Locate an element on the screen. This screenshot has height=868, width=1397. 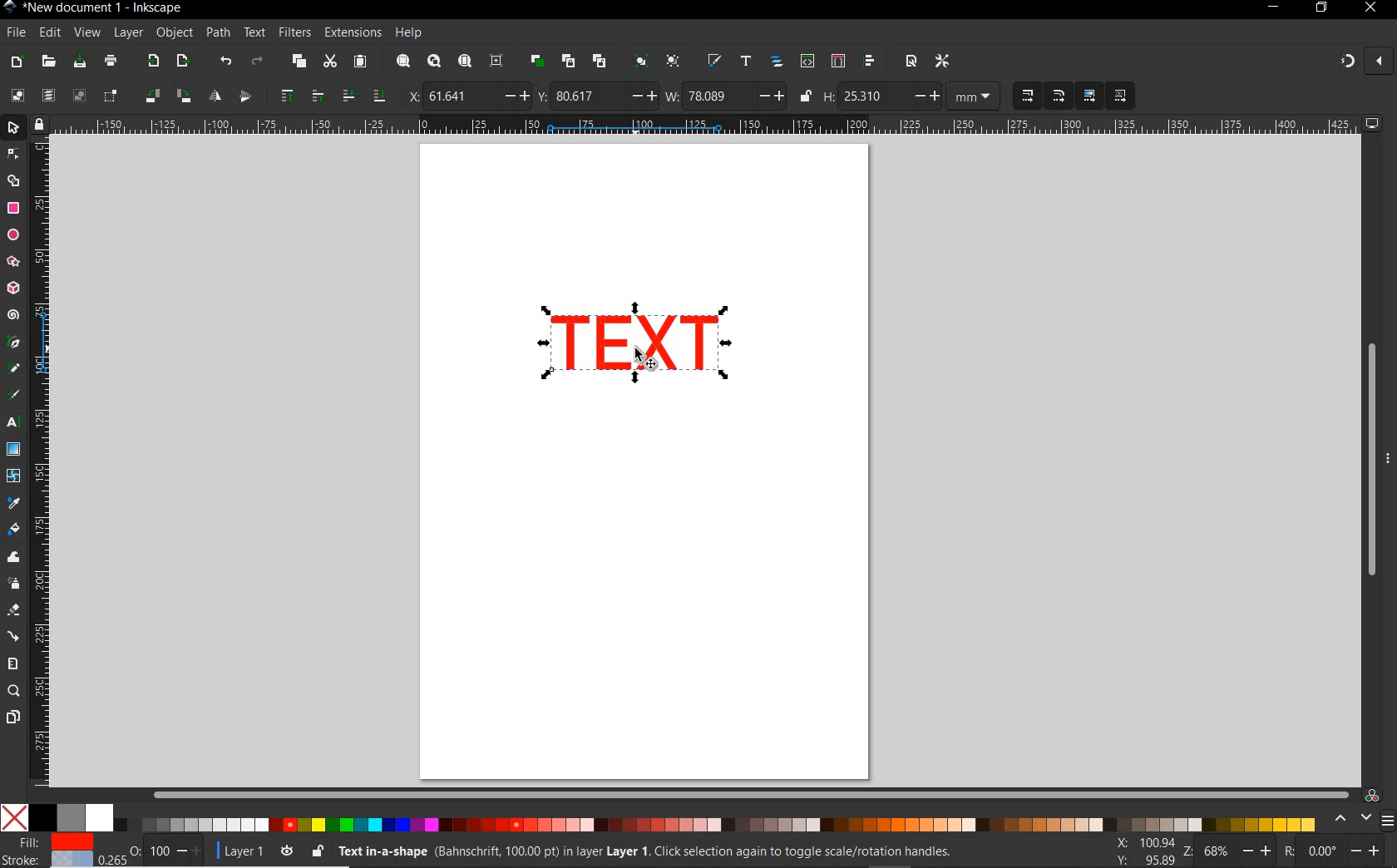
save is located at coordinates (80, 62).